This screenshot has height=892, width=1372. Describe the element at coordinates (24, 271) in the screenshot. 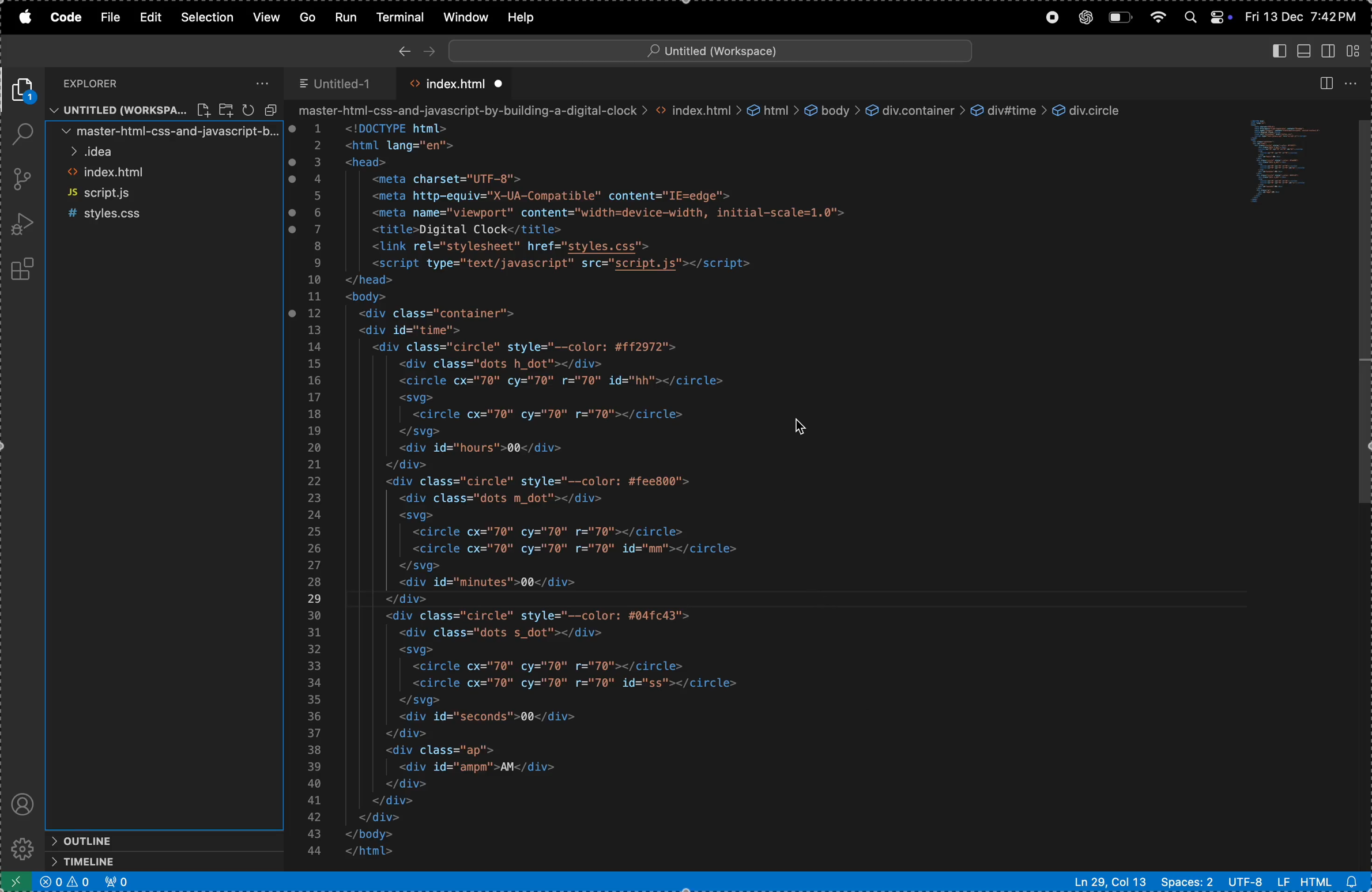

I see `extensions` at that location.